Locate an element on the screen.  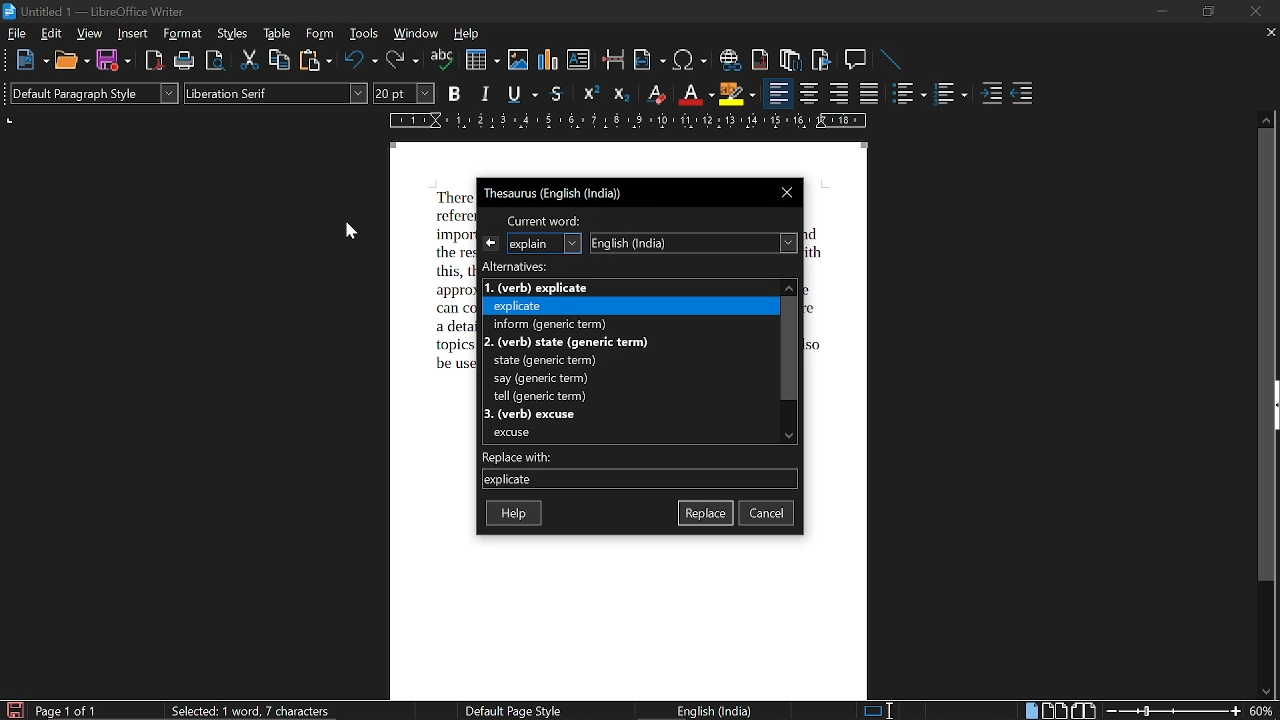
help is located at coordinates (516, 513).